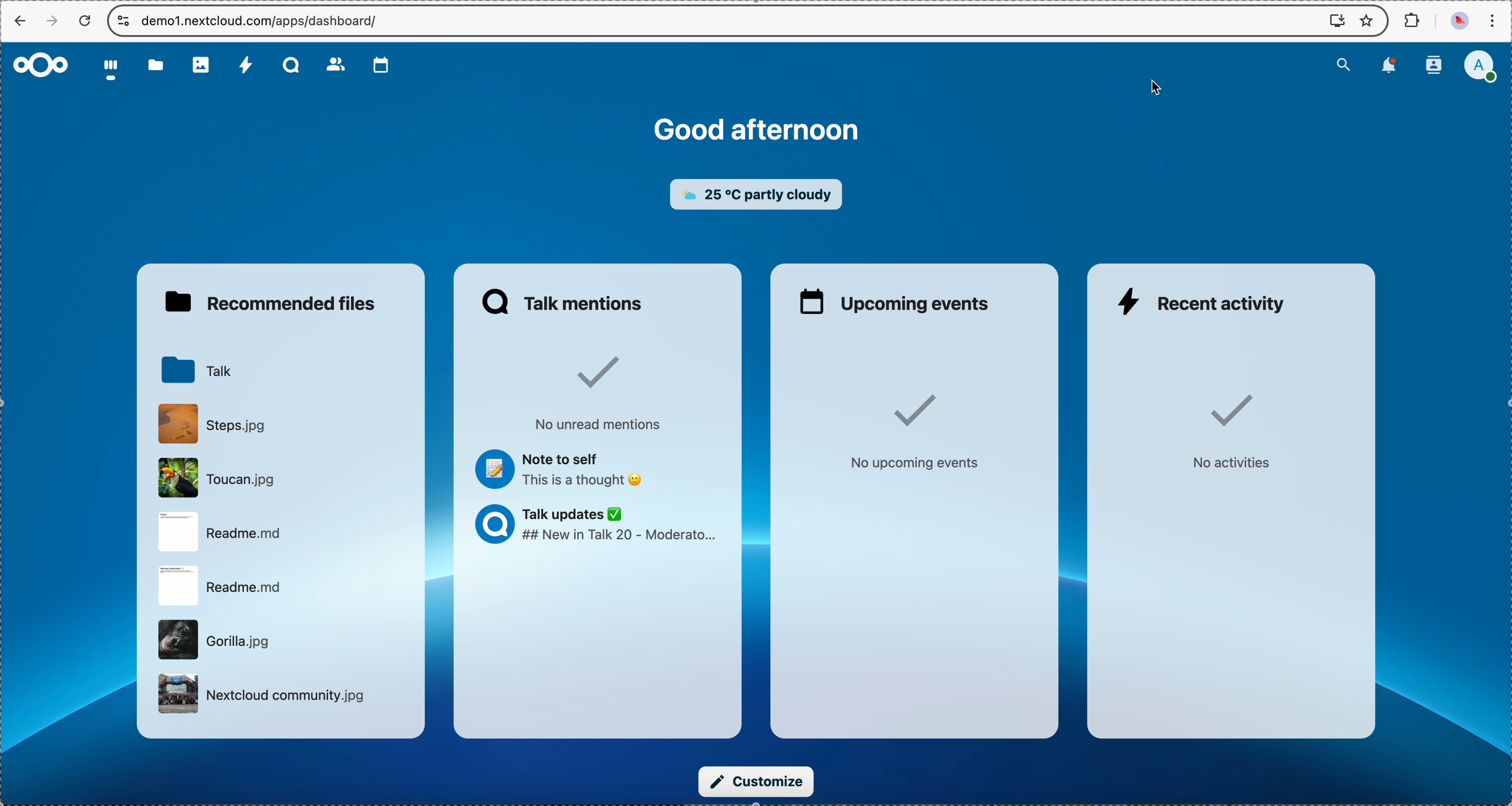 This screenshot has height=806, width=1512. I want to click on Talk mentions, so click(561, 301).